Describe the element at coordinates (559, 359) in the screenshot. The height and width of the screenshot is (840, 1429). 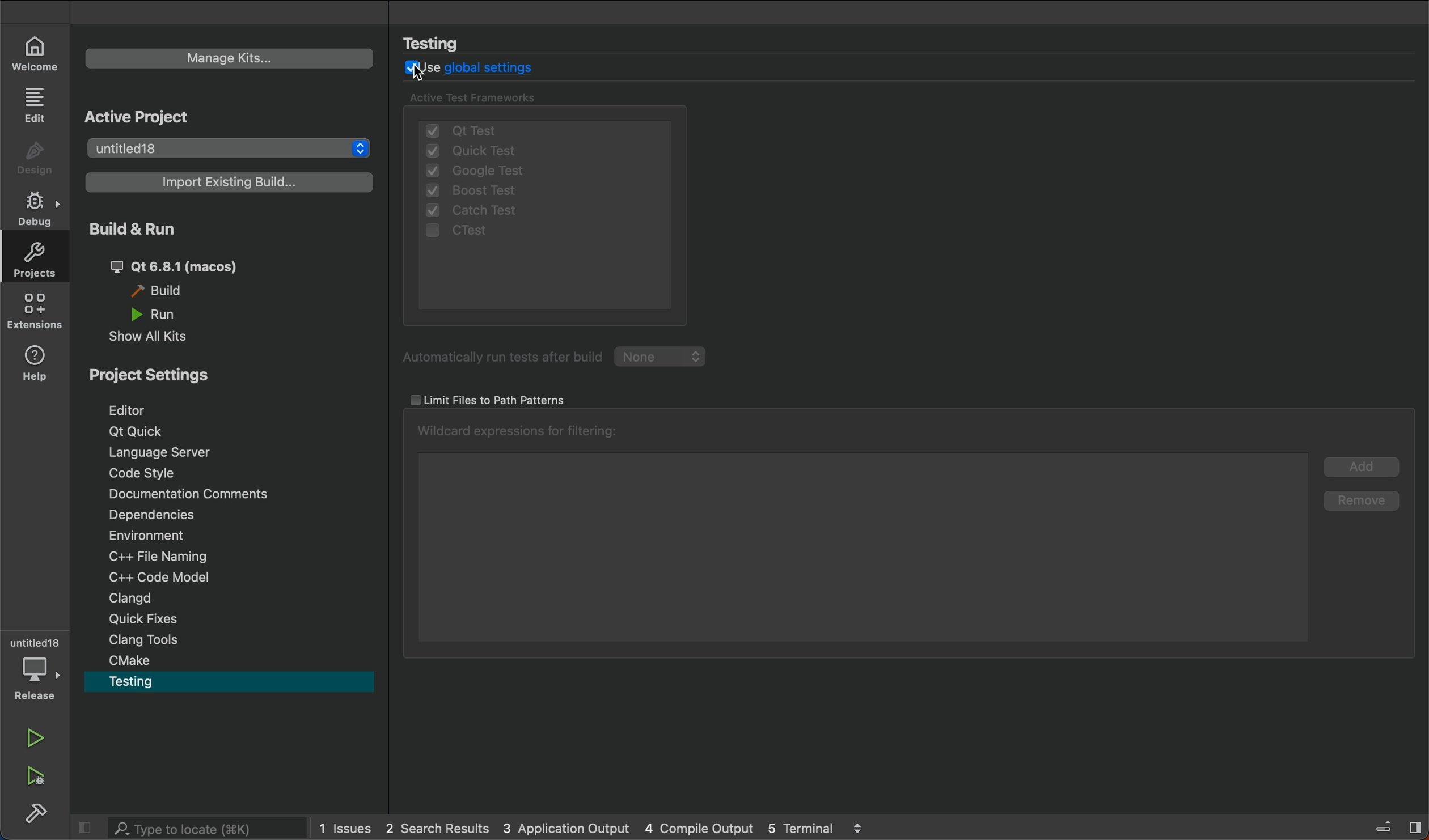
I see `automatic tests` at that location.